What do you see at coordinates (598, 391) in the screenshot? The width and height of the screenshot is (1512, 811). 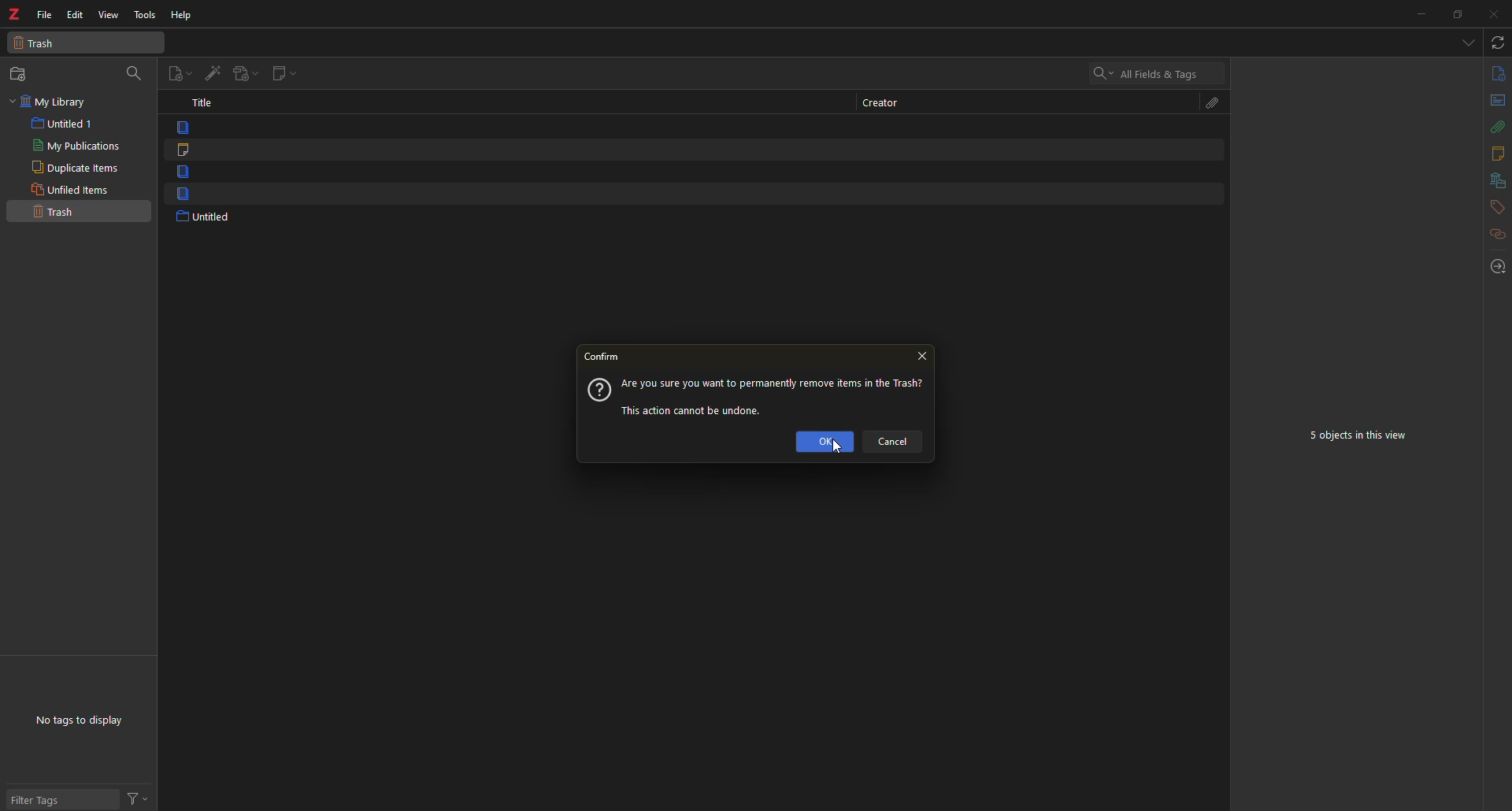 I see `?` at bounding box center [598, 391].